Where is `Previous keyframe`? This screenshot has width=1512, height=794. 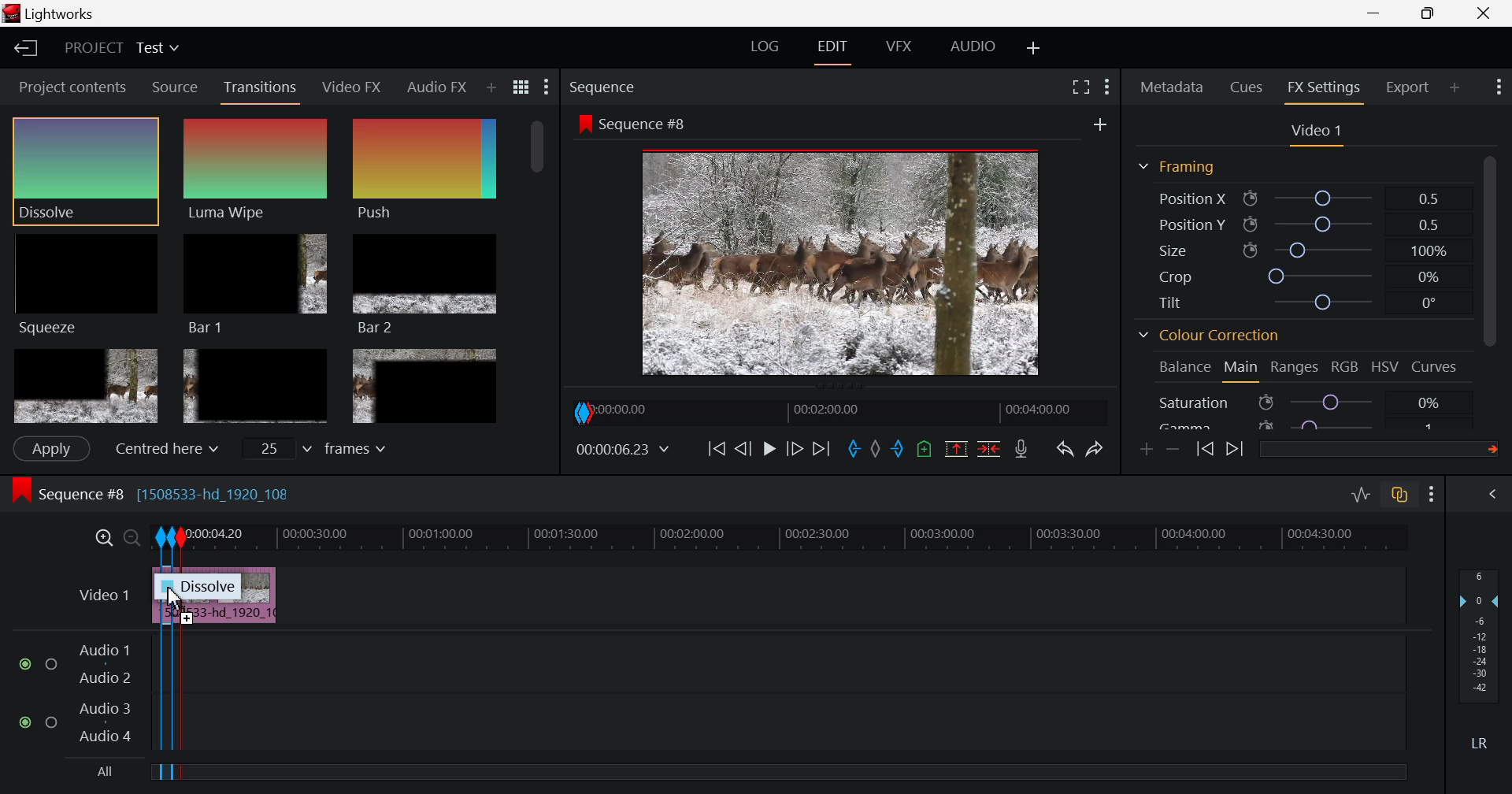 Previous keyframe is located at coordinates (1206, 451).